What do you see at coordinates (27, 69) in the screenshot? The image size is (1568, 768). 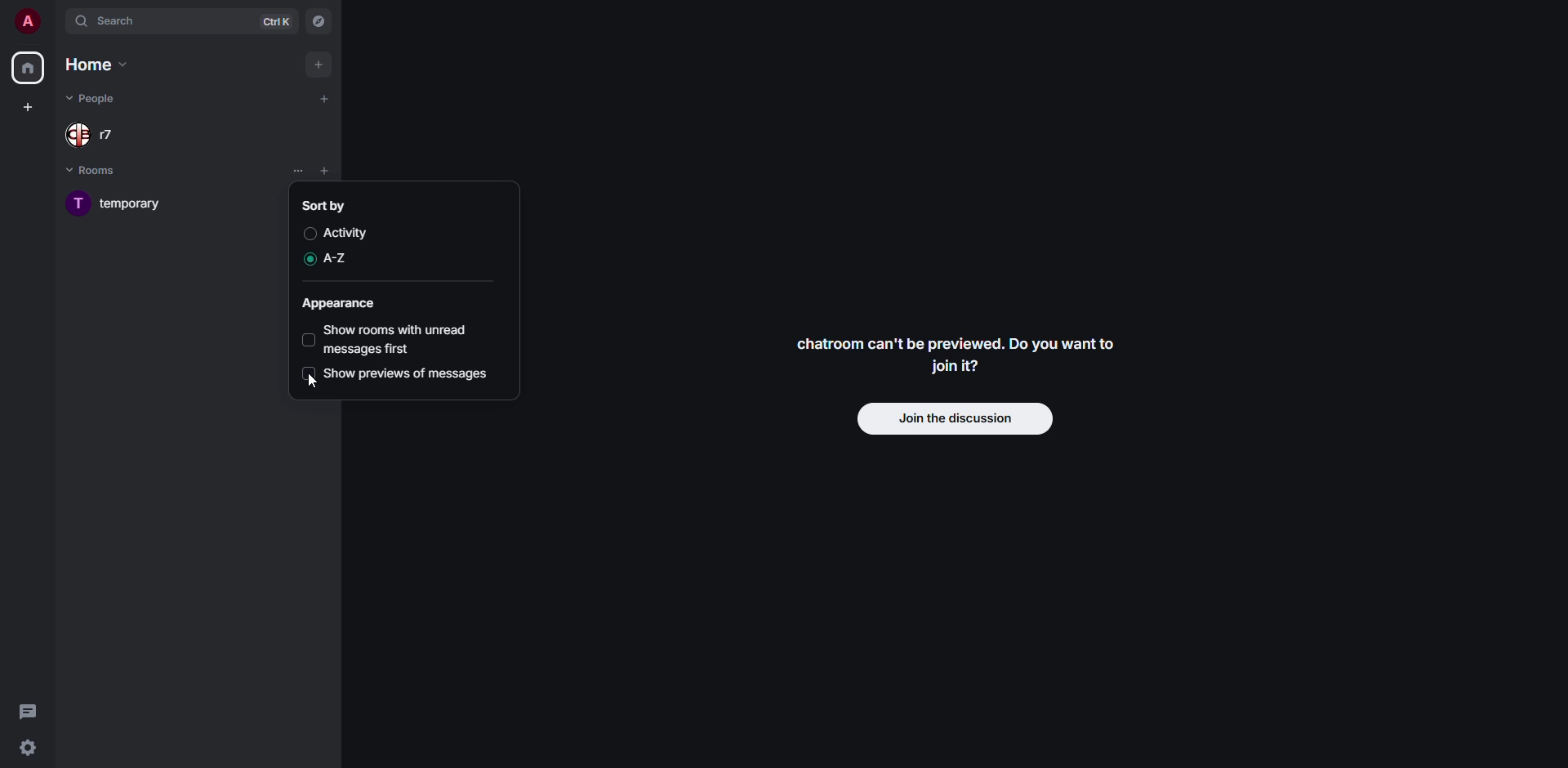 I see `home` at bounding box center [27, 69].